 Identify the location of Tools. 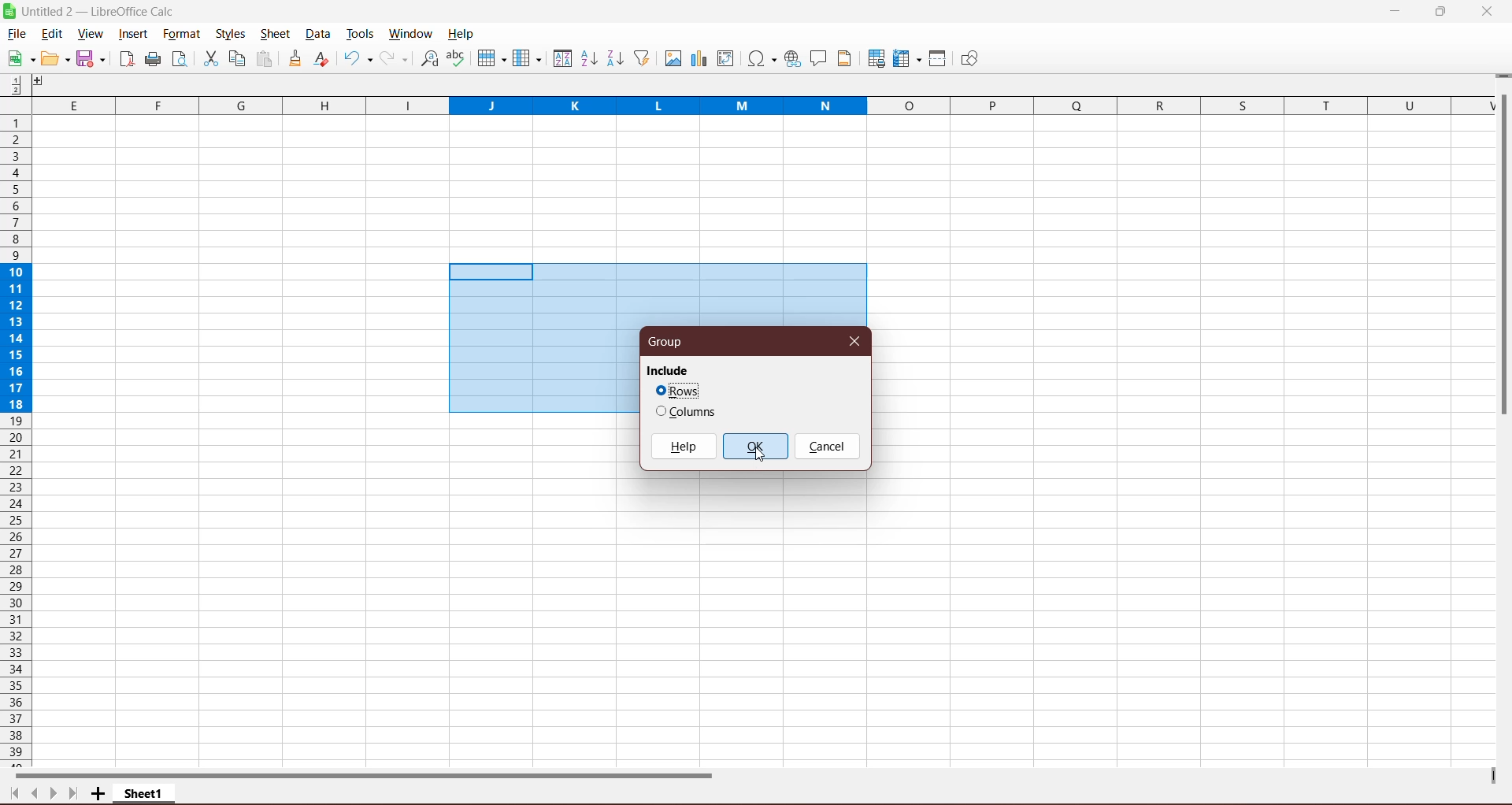
(361, 33).